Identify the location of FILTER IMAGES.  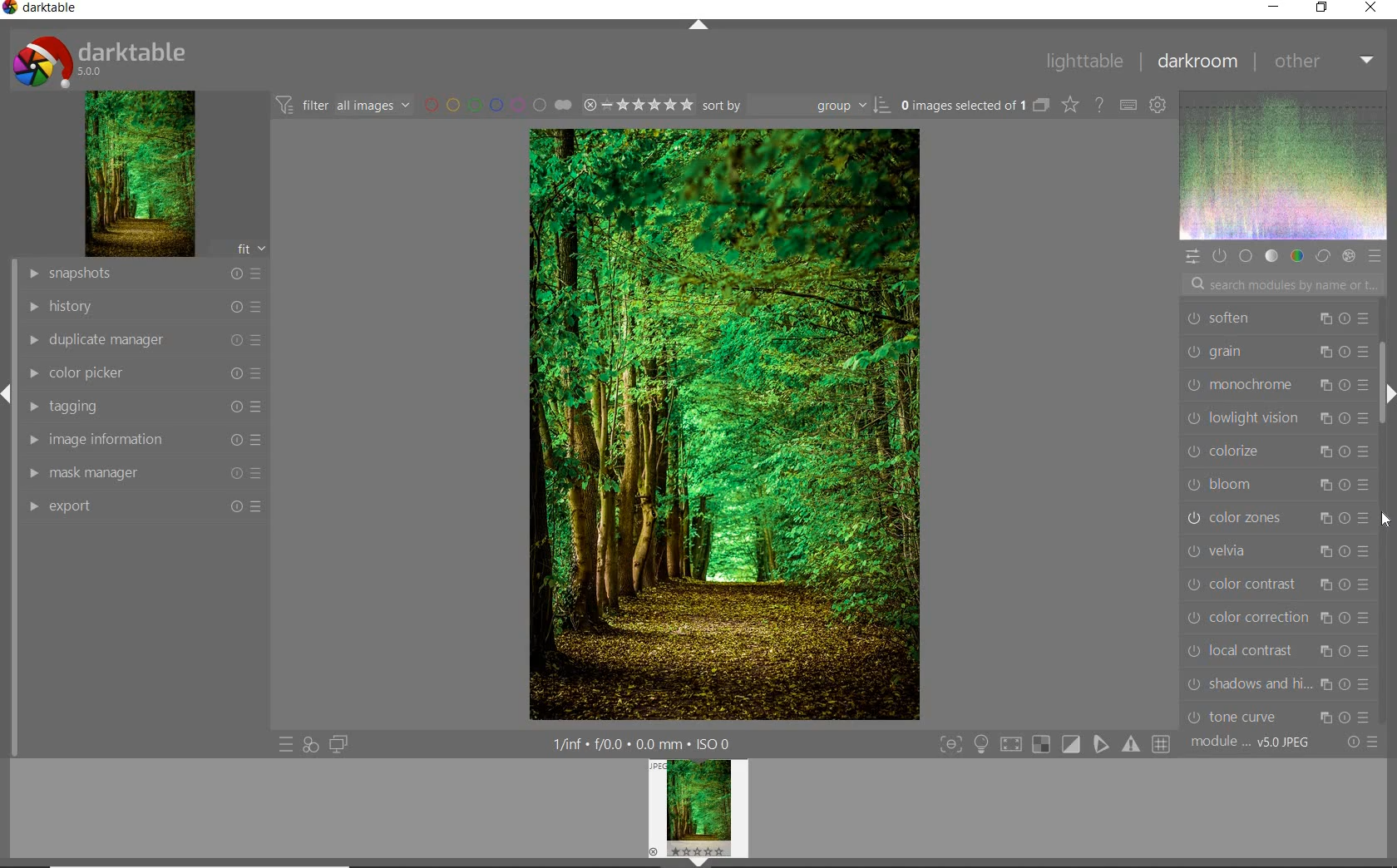
(343, 105).